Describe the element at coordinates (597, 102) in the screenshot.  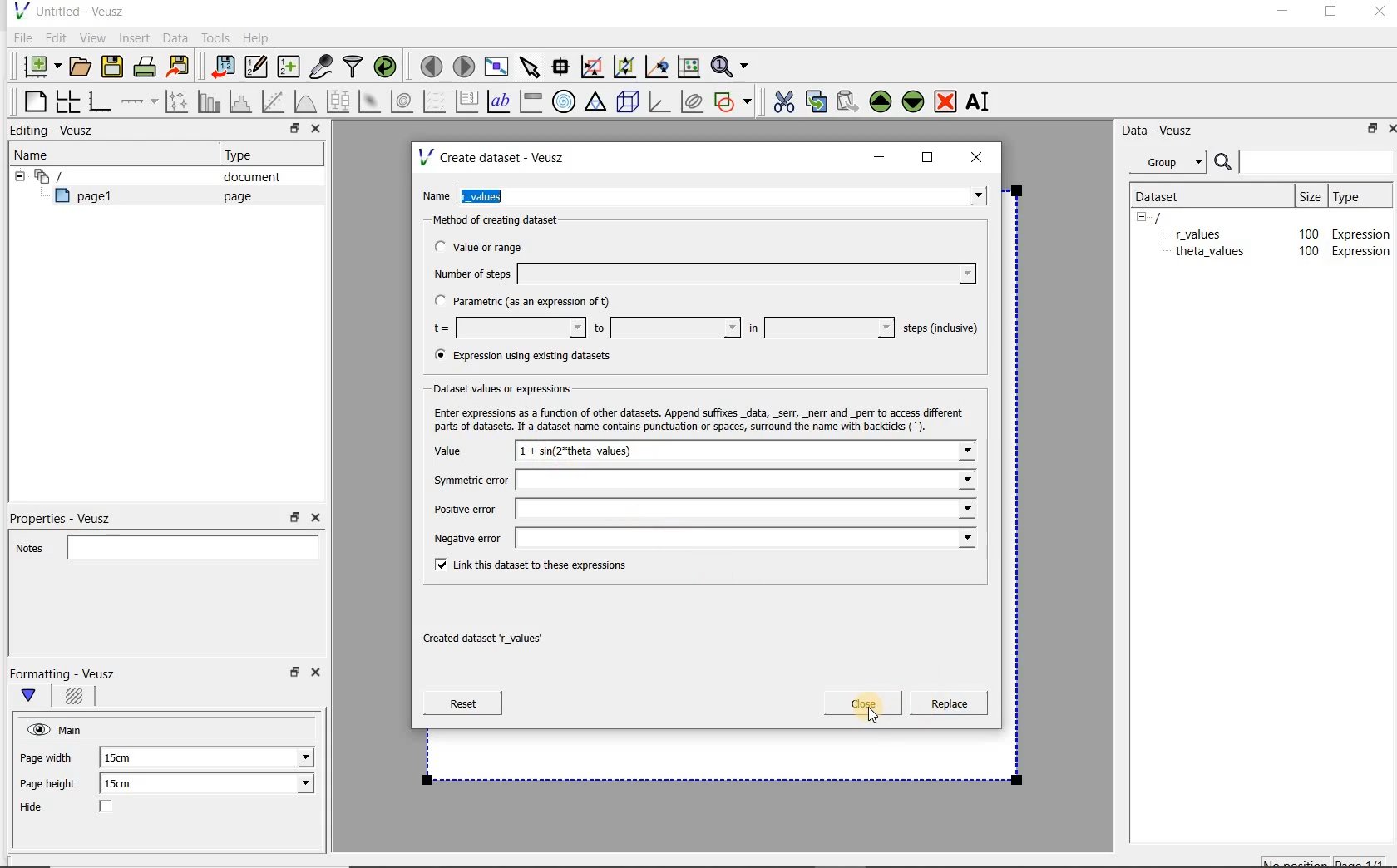
I see `ternary graph` at that location.